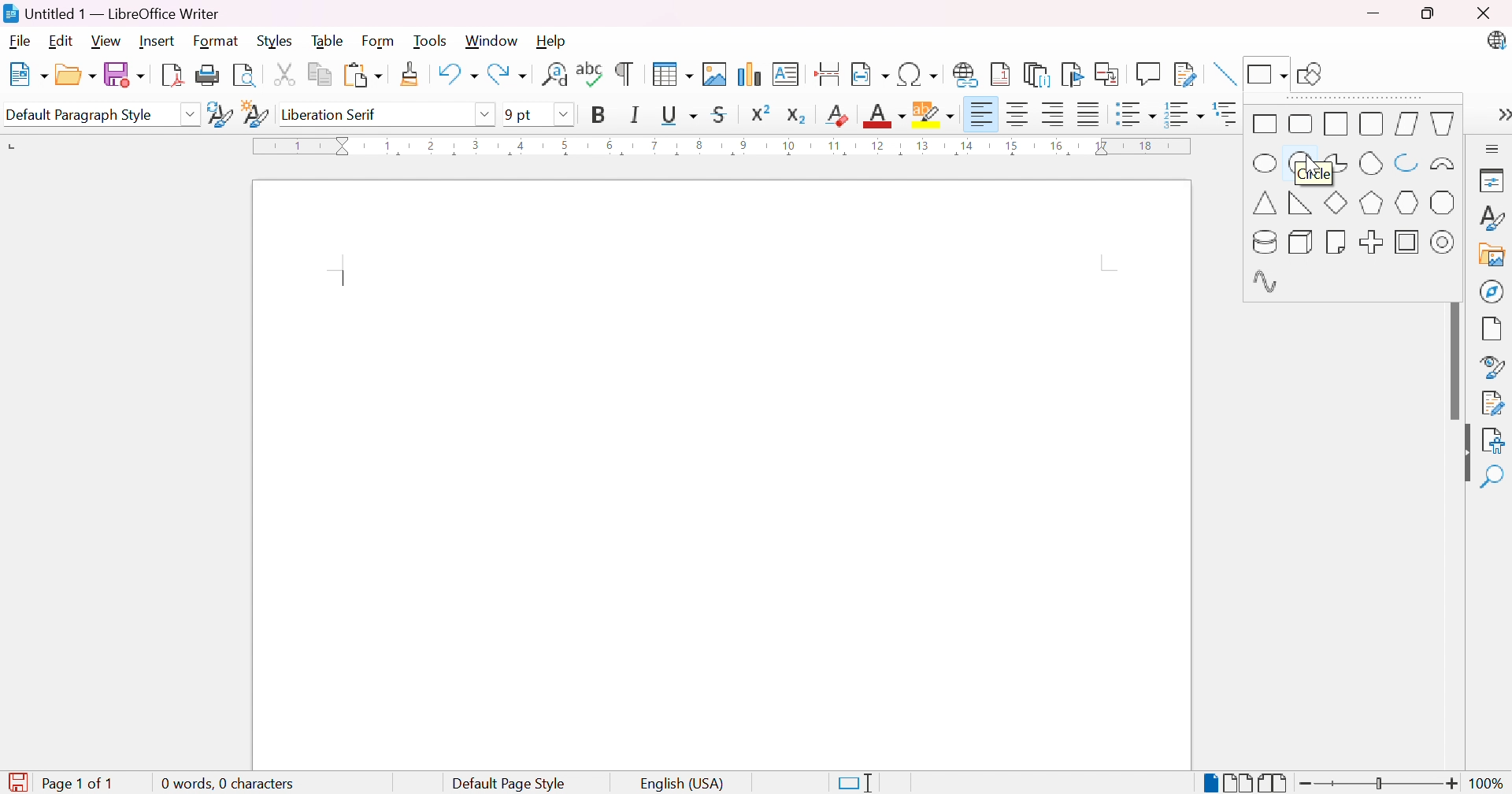 The width and height of the screenshot is (1512, 794). Describe the element at coordinates (747, 73) in the screenshot. I see `Insert chart` at that location.